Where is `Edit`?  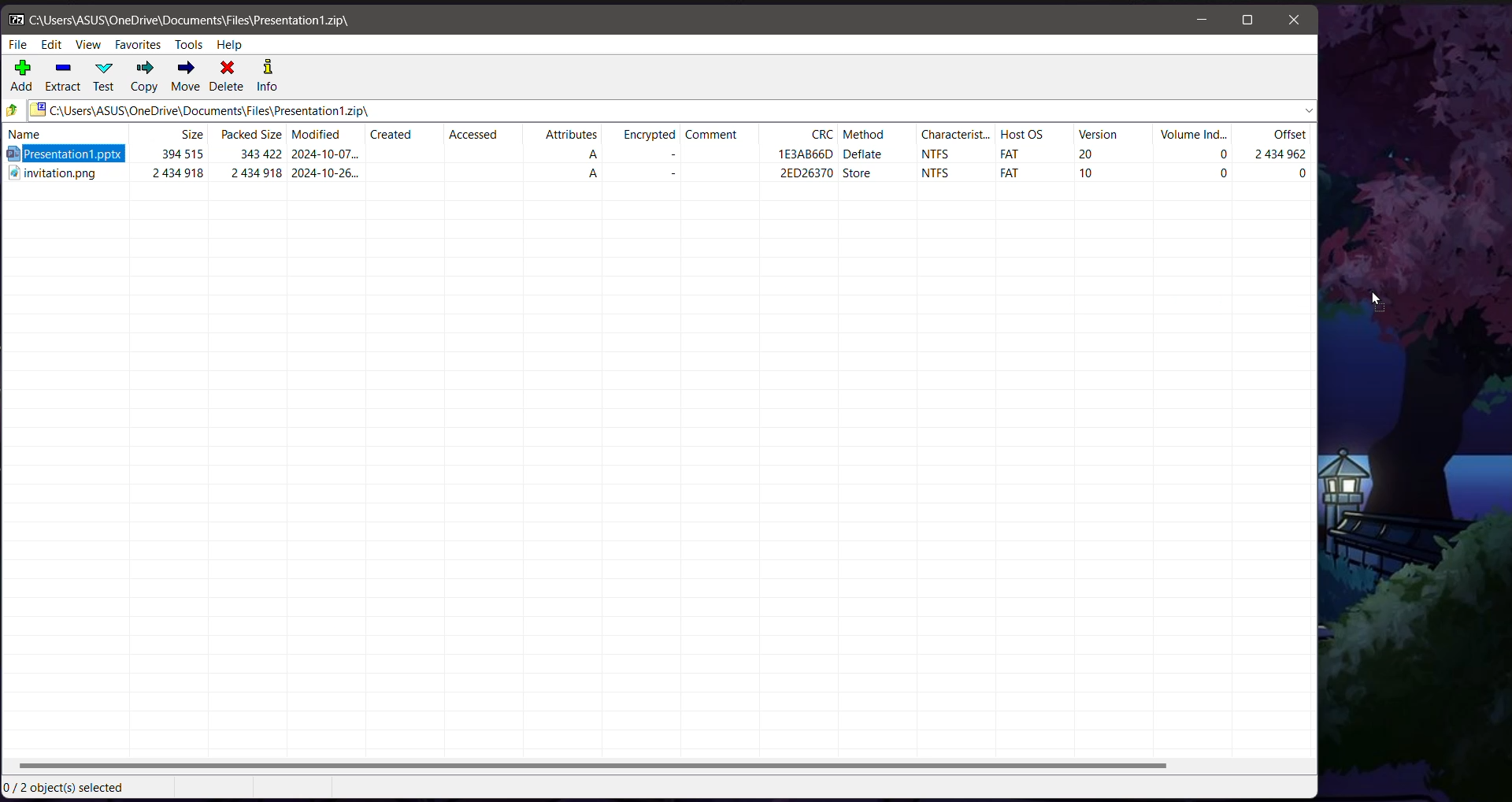
Edit is located at coordinates (53, 45).